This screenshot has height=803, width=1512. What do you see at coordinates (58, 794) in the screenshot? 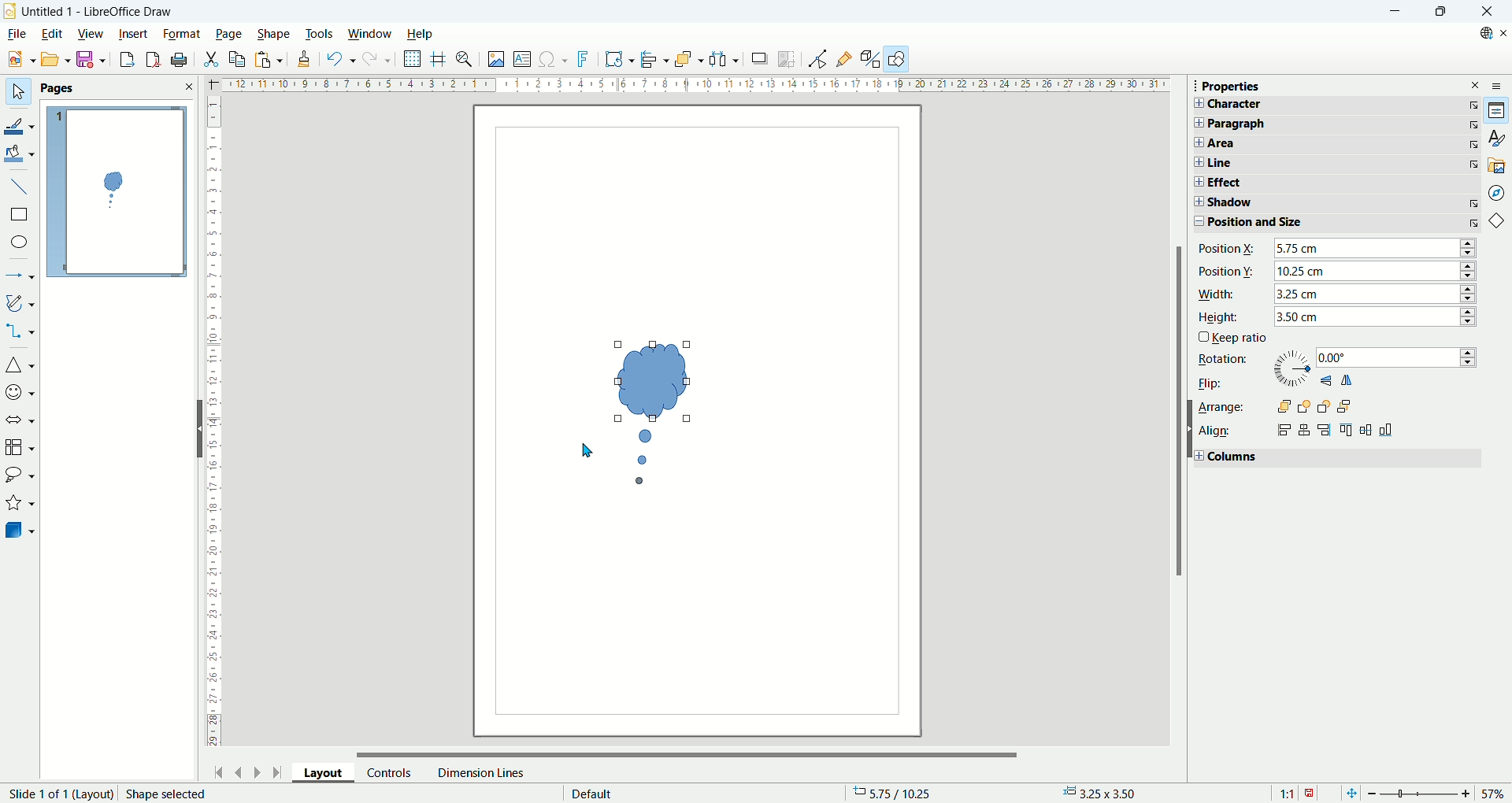
I see `slide number` at bounding box center [58, 794].